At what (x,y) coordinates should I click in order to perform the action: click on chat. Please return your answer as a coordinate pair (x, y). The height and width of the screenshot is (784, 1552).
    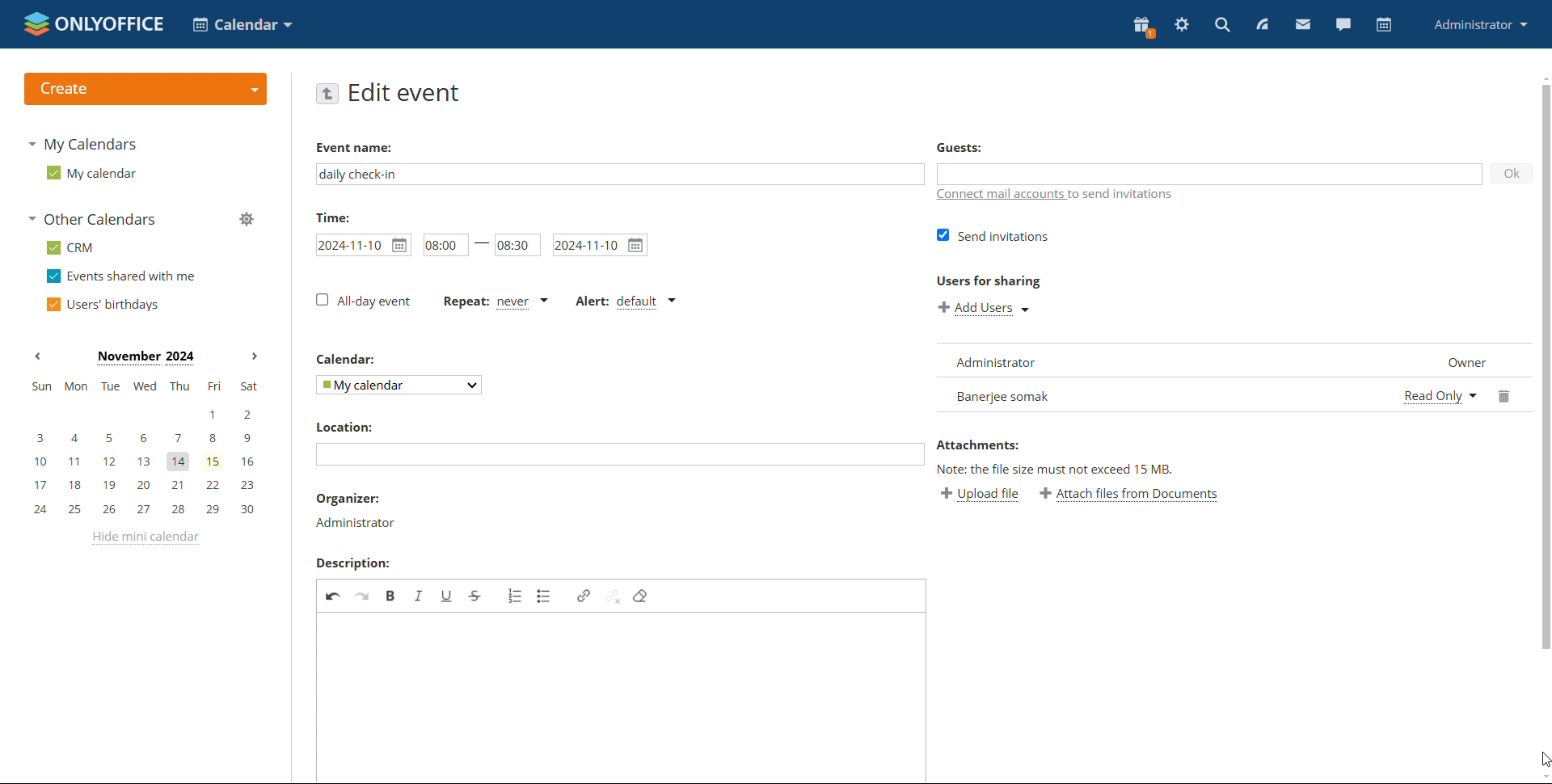
    Looking at the image, I should click on (1343, 24).